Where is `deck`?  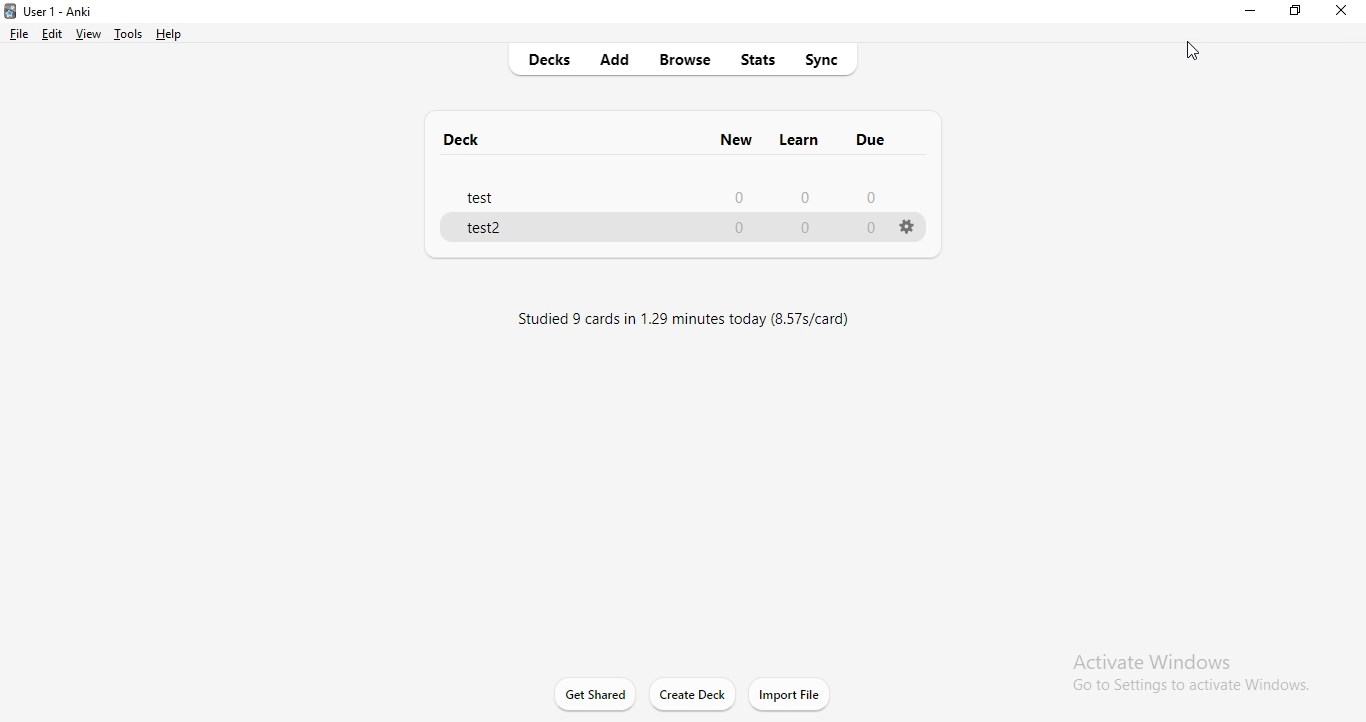
deck is located at coordinates (463, 135).